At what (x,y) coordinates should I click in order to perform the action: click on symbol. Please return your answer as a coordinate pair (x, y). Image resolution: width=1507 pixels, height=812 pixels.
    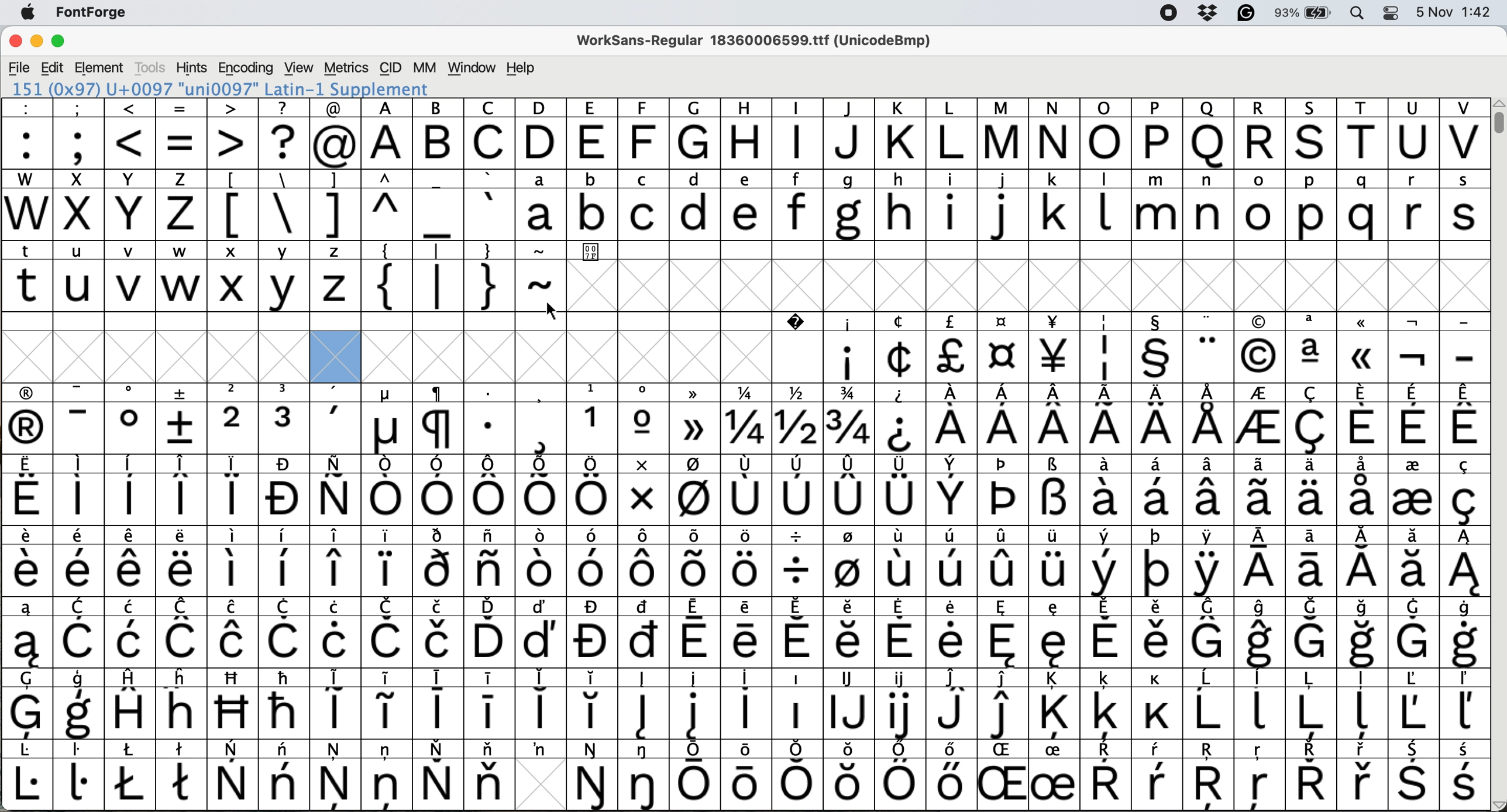
    Looking at the image, I should click on (28, 704).